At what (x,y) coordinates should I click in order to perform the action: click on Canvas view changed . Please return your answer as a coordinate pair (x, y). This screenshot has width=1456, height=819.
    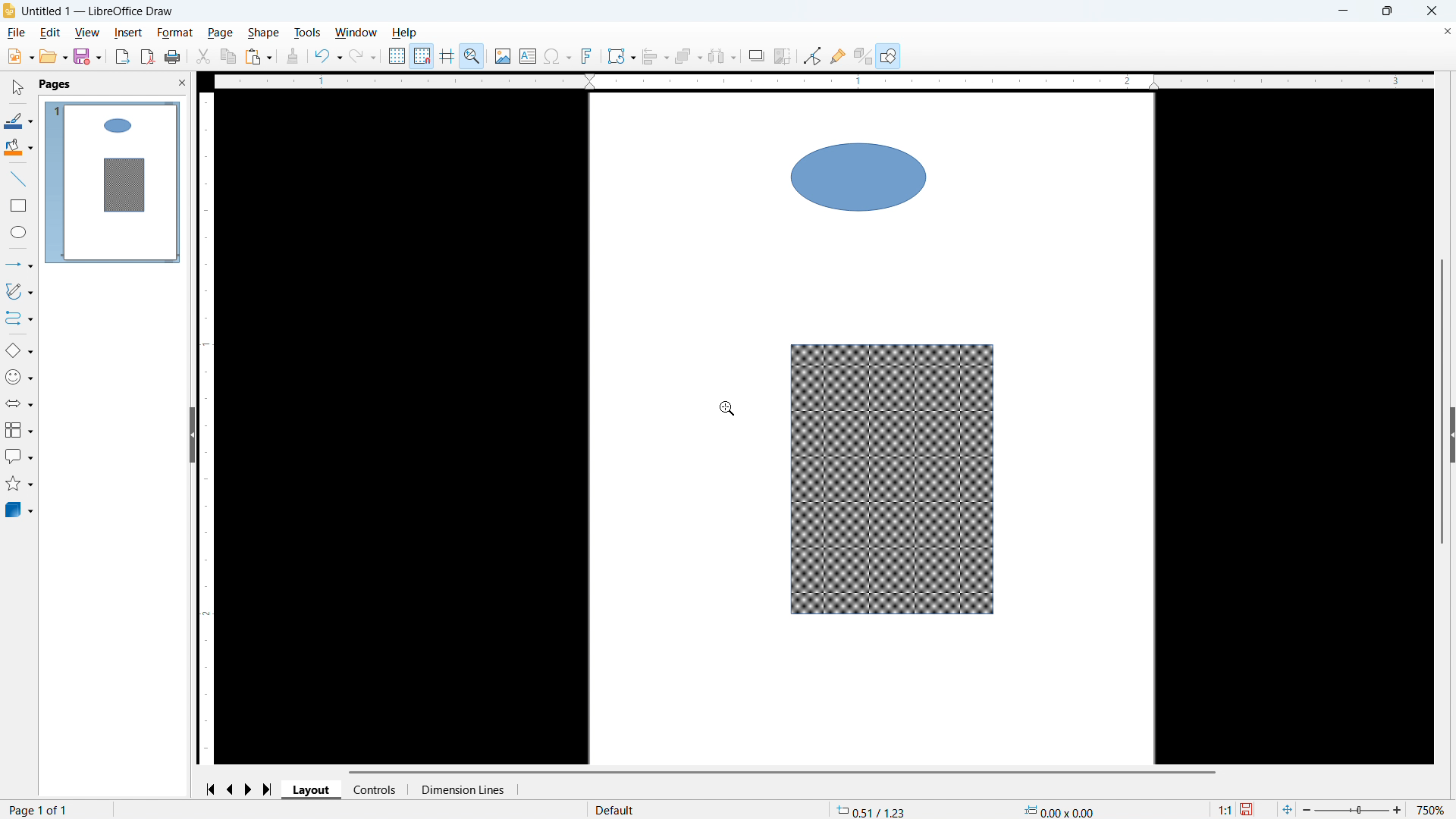
    Looking at the image, I should click on (872, 428).